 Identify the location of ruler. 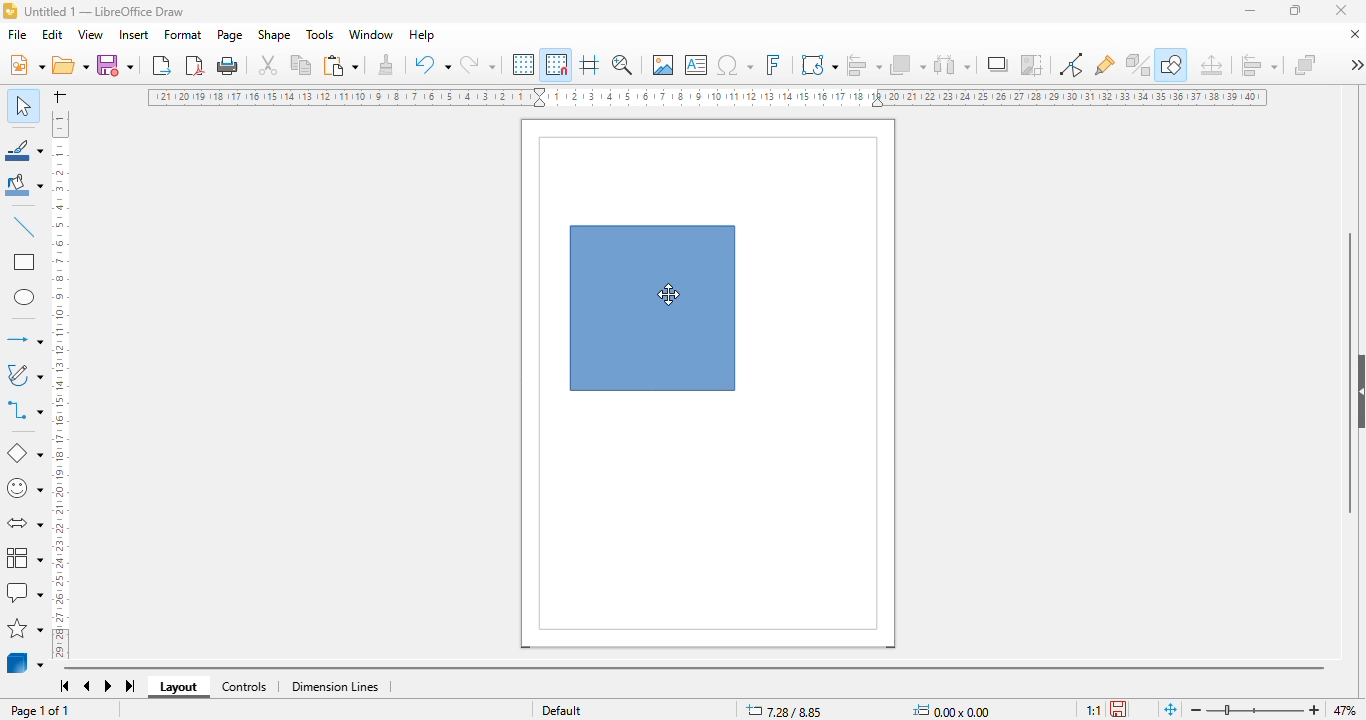
(709, 97).